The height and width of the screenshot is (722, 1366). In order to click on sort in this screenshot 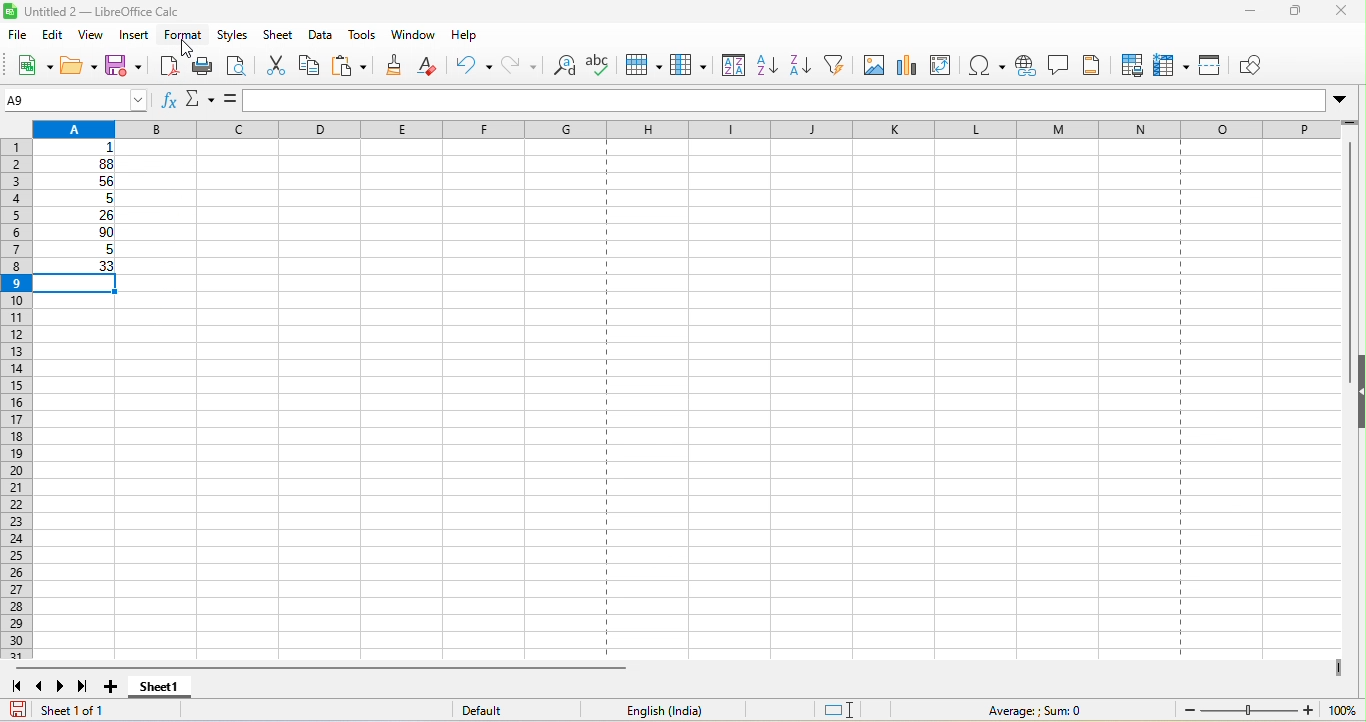, I will do `click(730, 67)`.